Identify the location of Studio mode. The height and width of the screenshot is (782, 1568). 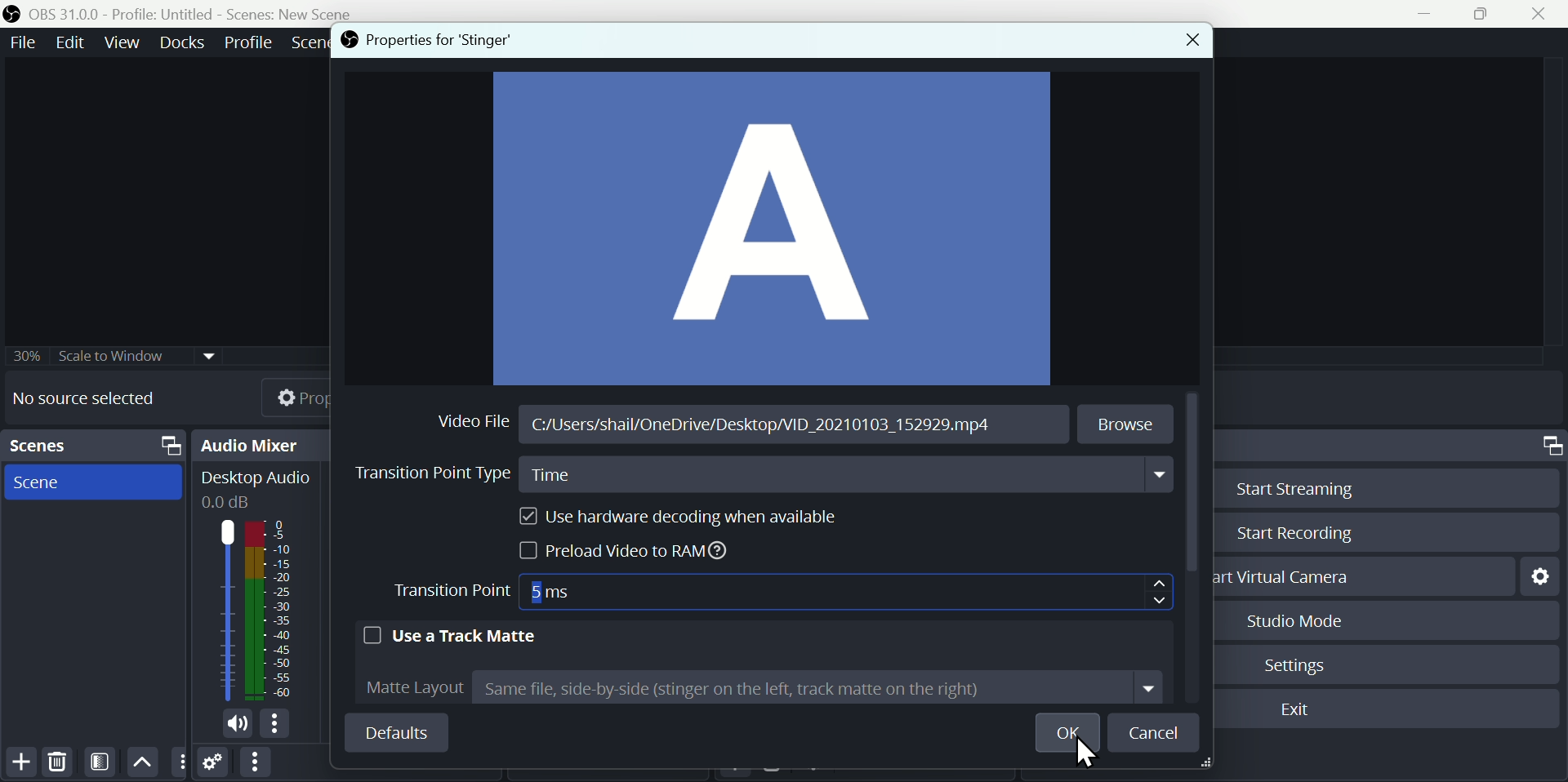
(1289, 620).